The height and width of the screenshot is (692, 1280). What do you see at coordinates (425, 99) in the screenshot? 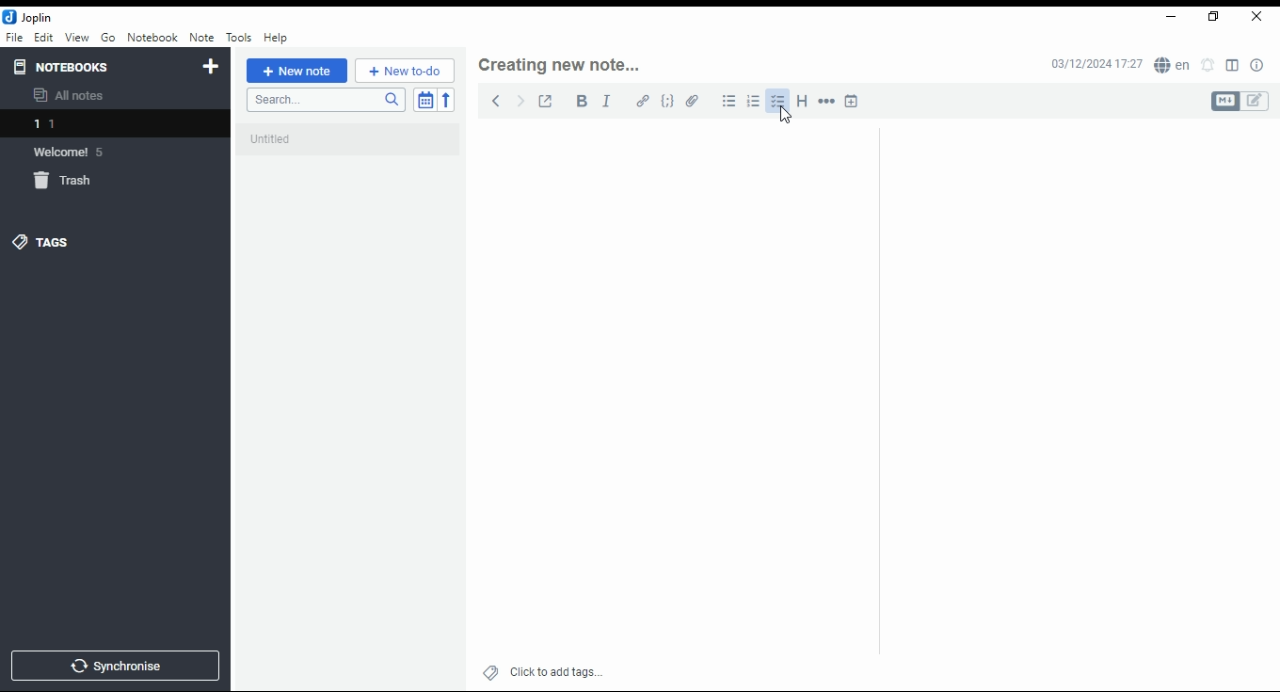
I see `toggle sort order field` at bounding box center [425, 99].